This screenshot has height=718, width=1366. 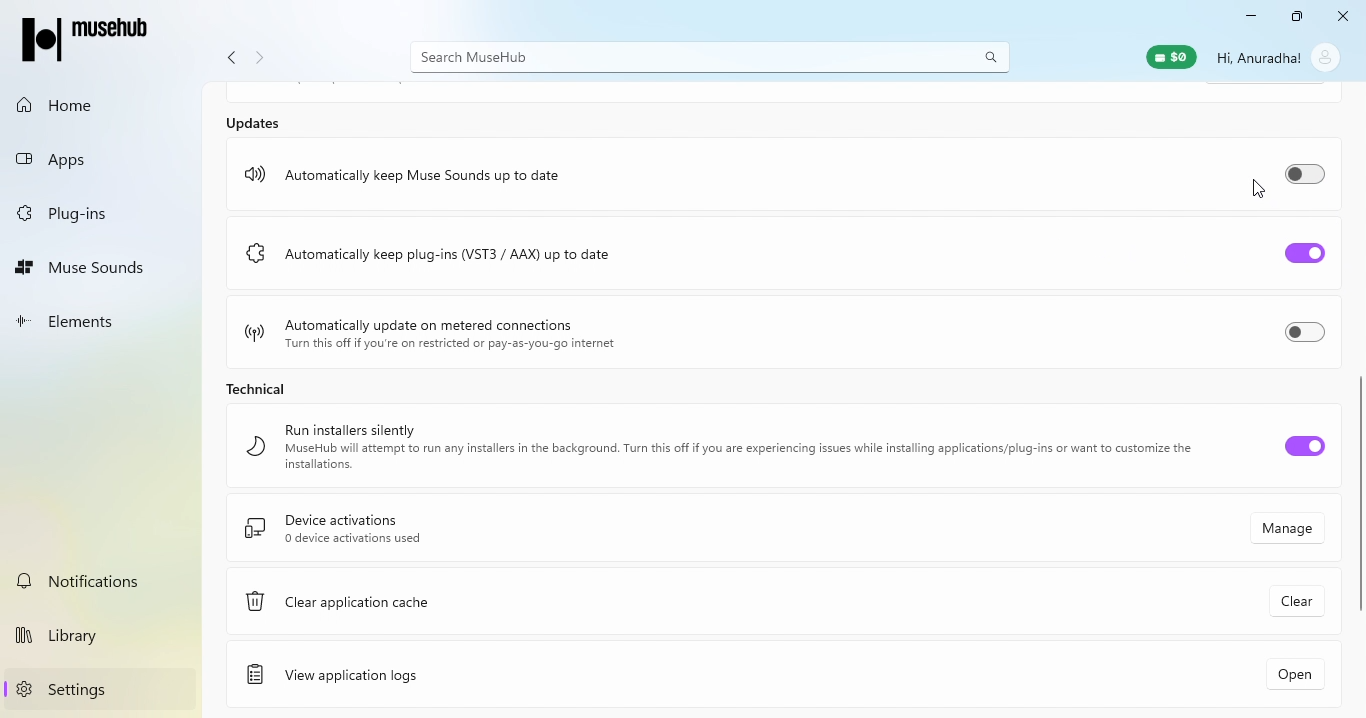 I want to click on Run installer silently, so click(x=709, y=447).